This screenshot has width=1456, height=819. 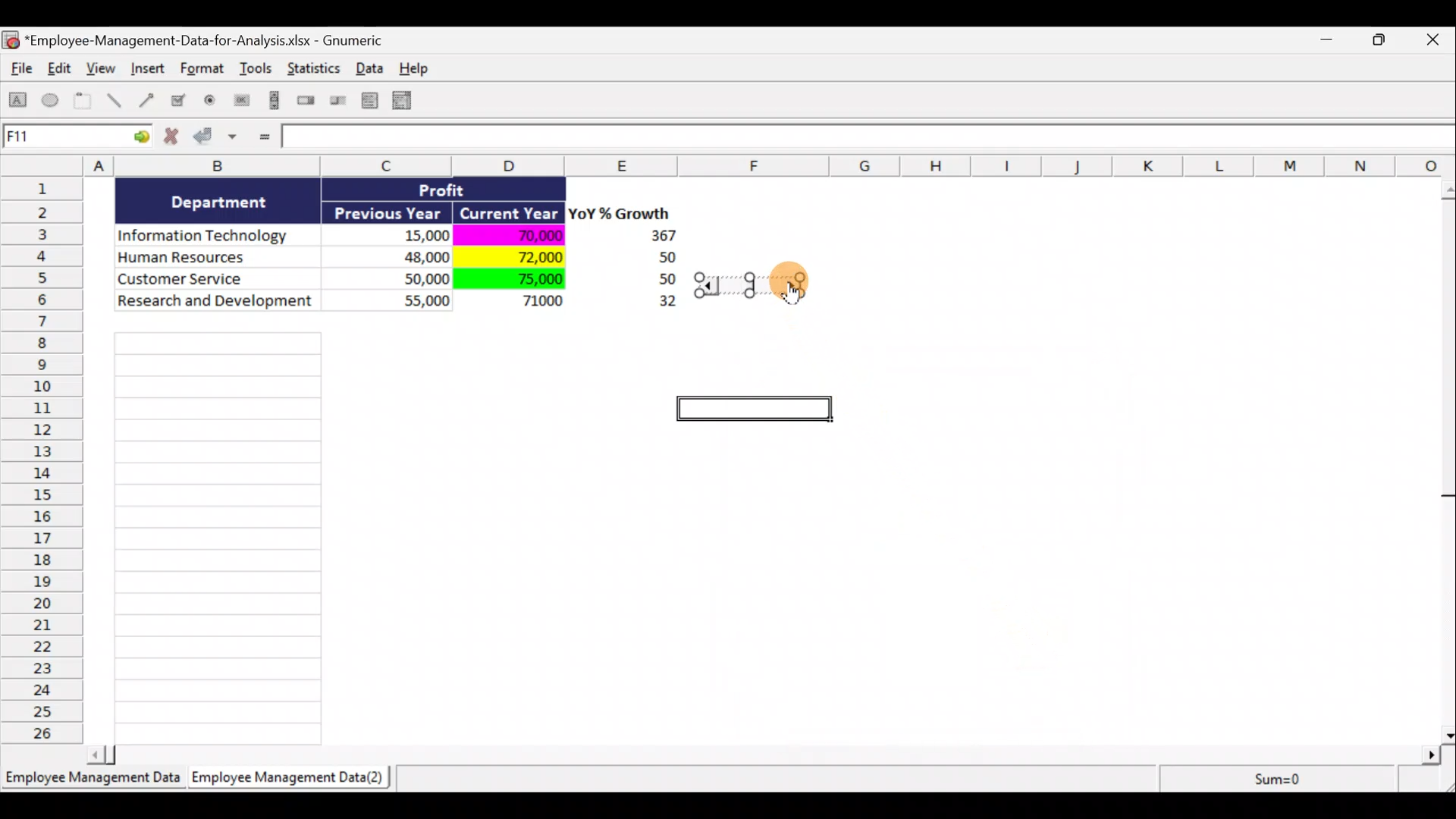 I want to click on Accept changes, so click(x=218, y=142).